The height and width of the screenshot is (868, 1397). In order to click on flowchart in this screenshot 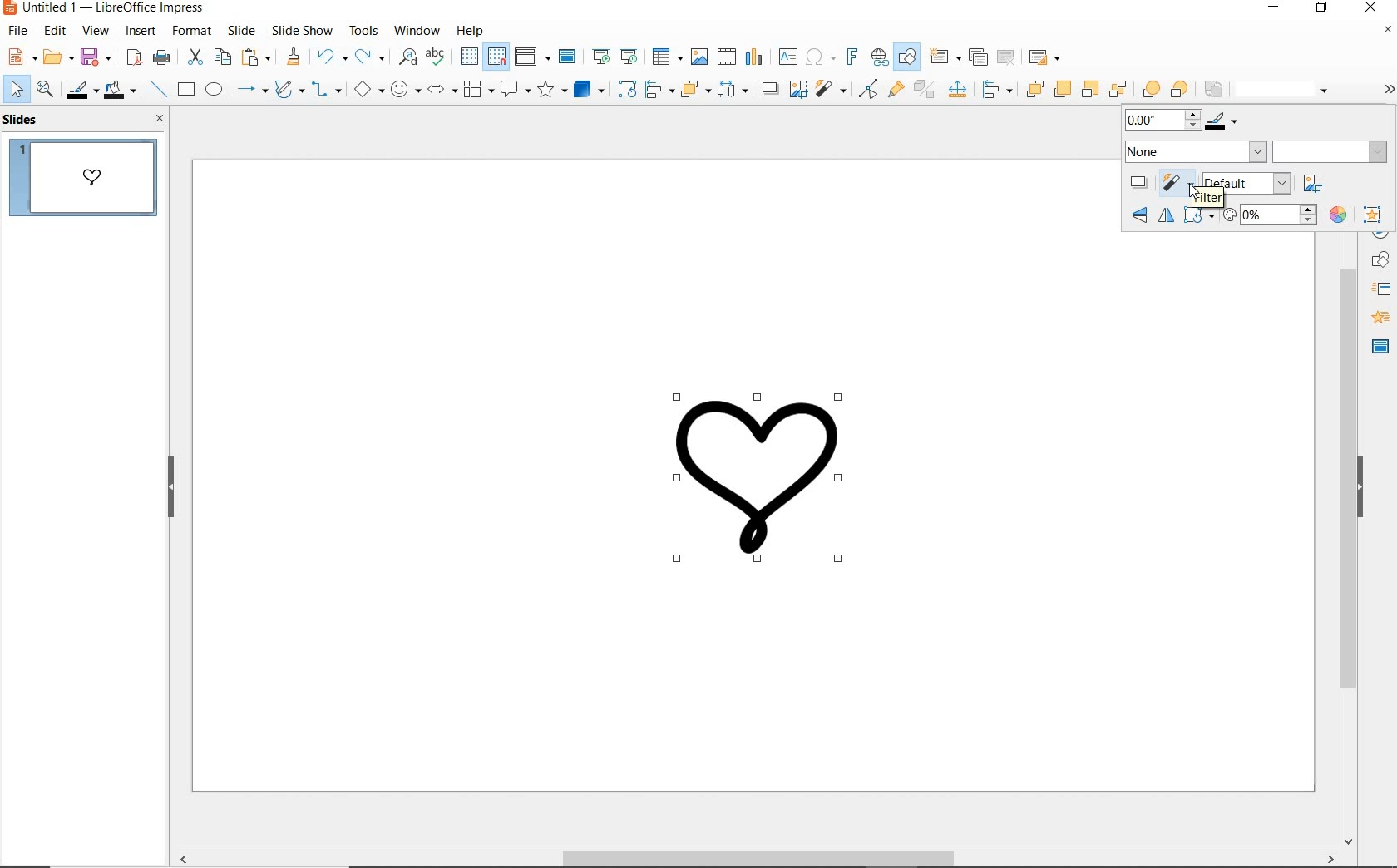, I will do `click(478, 90)`.